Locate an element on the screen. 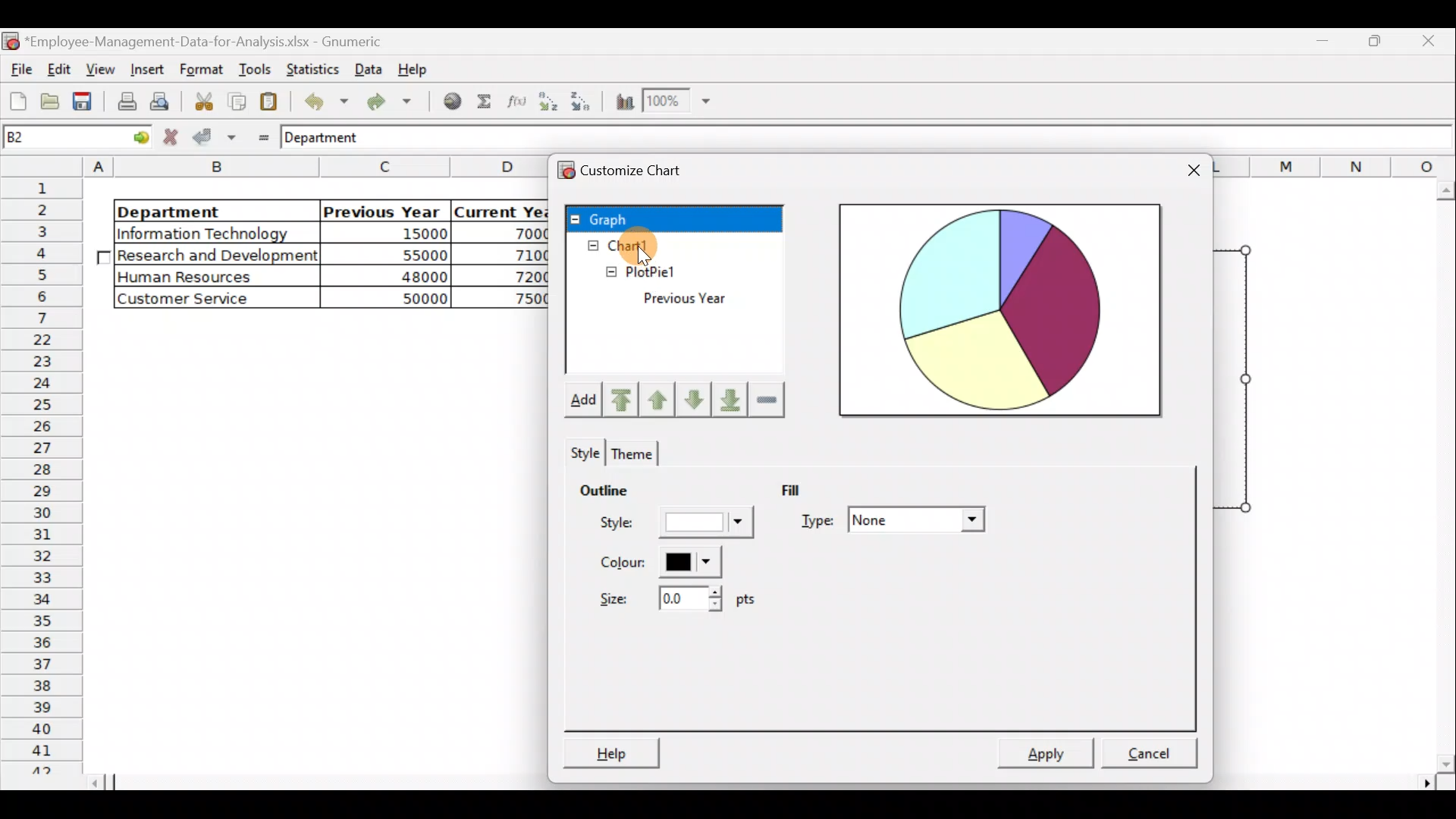 The height and width of the screenshot is (819, 1456). Sort in Ascending order is located at coordinates (548, 101).